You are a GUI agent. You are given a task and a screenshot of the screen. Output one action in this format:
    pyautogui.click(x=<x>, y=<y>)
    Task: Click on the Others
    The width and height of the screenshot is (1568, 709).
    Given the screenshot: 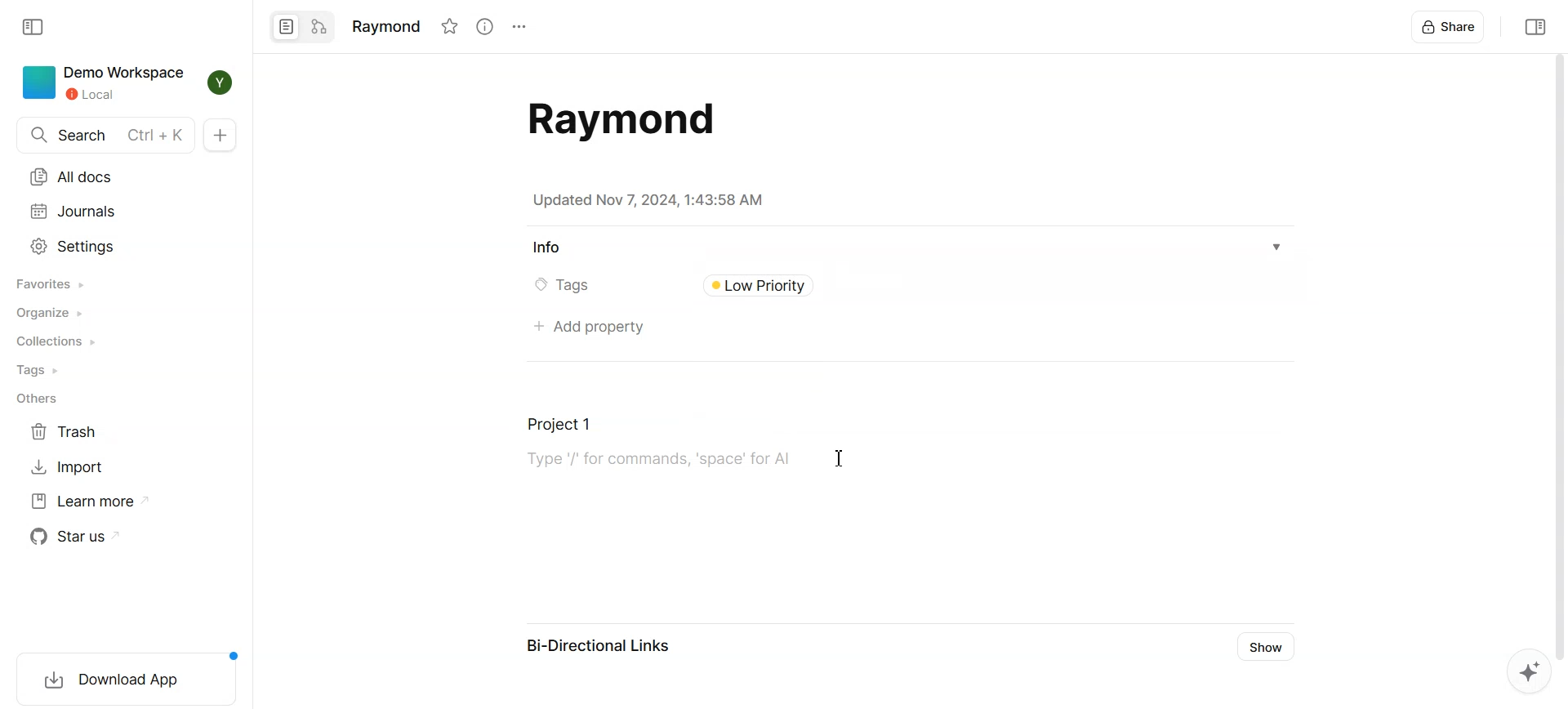 What is the action you would take?
    pyautogui.click(x=36, y=400)
    